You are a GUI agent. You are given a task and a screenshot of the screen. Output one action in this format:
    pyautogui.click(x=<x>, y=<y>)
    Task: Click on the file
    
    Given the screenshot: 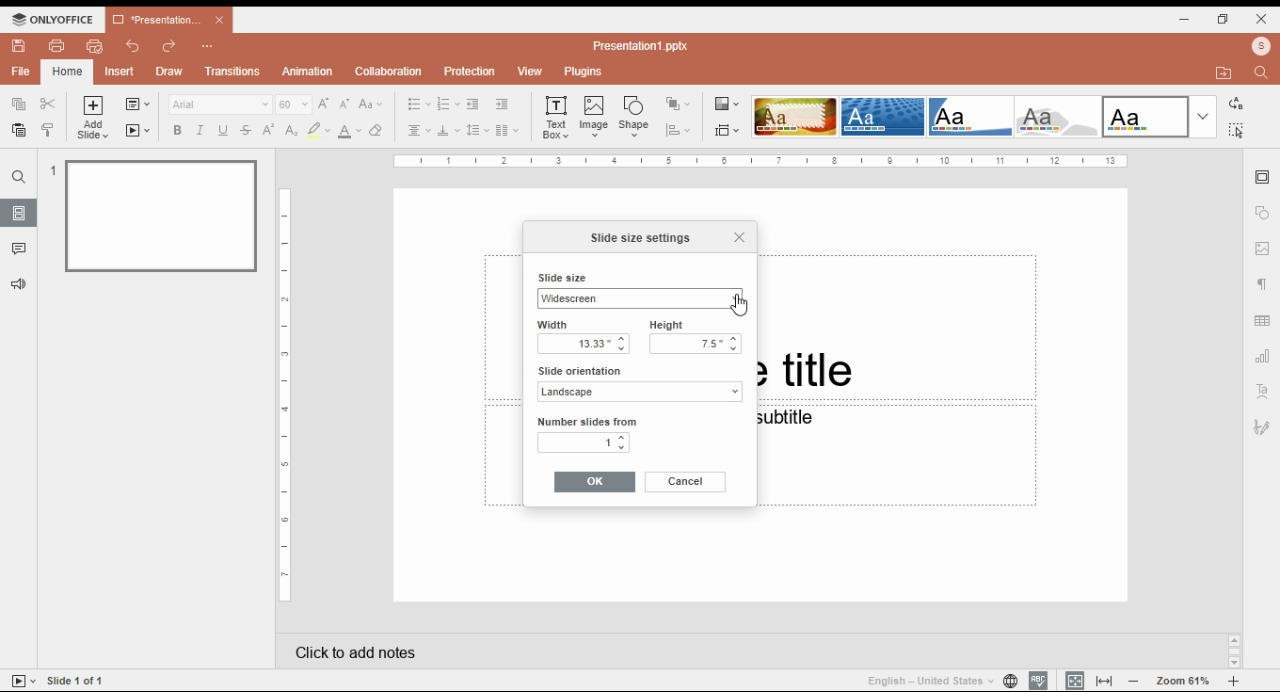 What is the action you would take?
    pyautogui.click(x=21, y=71)
    